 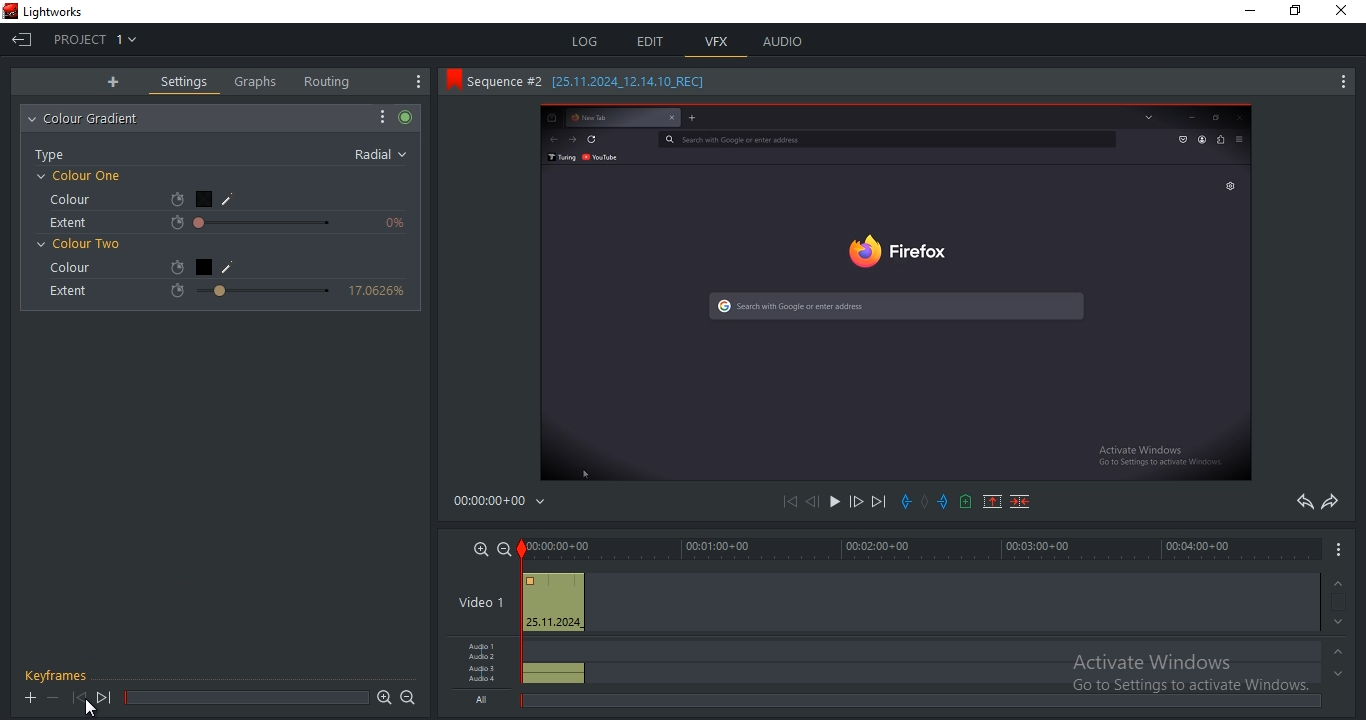 I want to click on Audio 1, so click(x=486, y=644).